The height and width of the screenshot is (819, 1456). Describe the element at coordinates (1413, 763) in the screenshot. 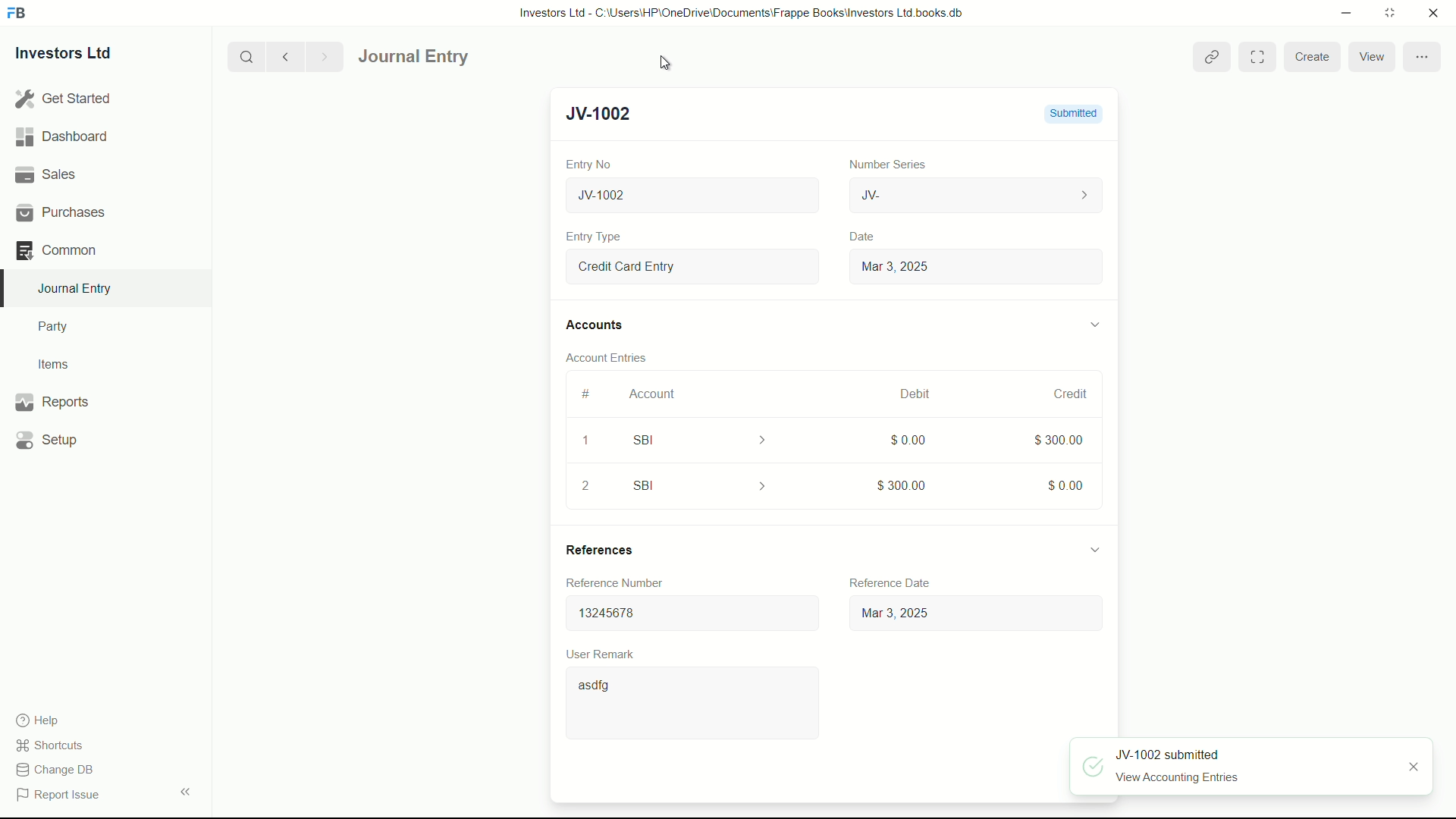

I see `close` at that location.